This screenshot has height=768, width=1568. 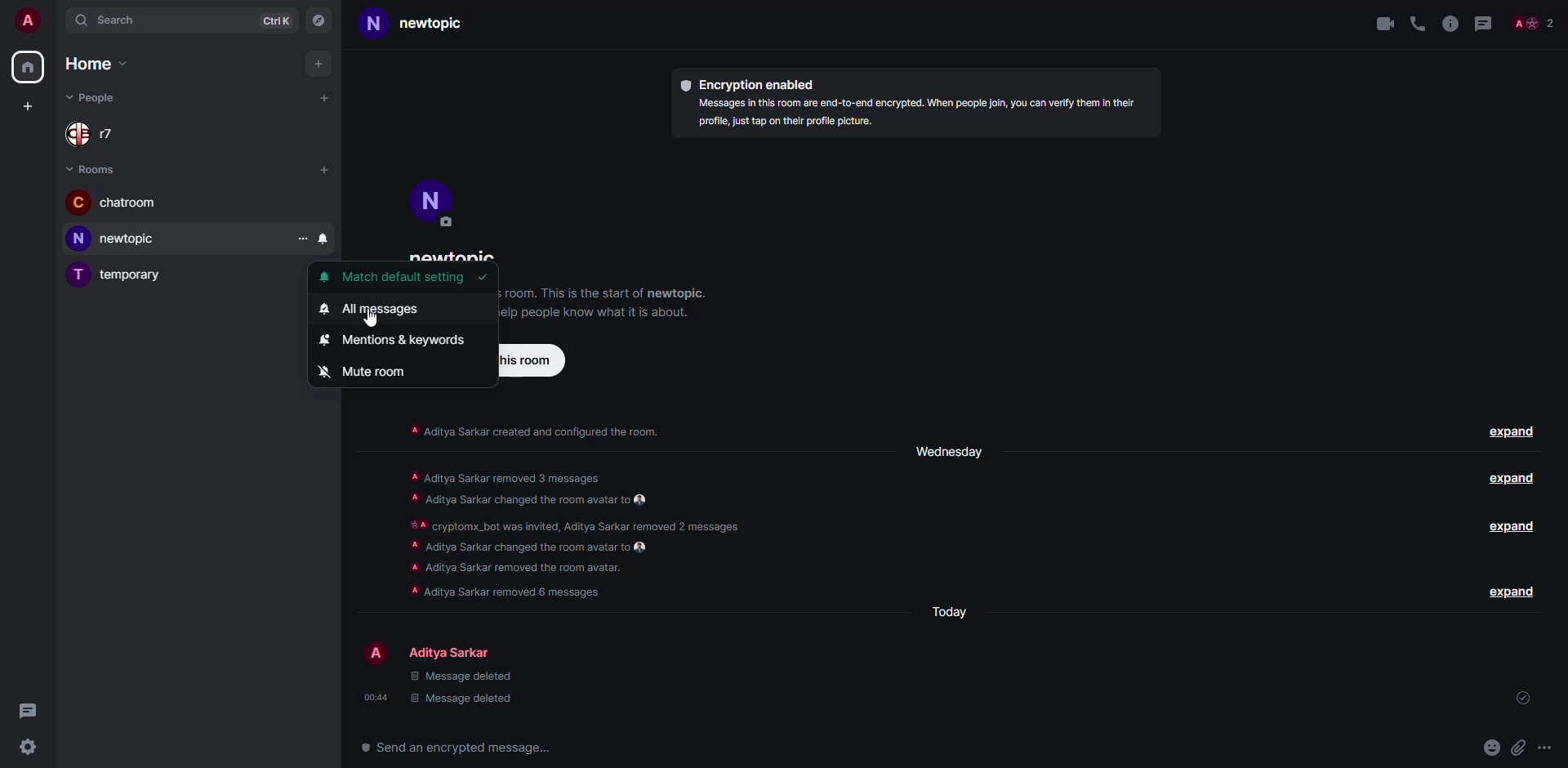 I want to click on time, so click(x=378, y=696).